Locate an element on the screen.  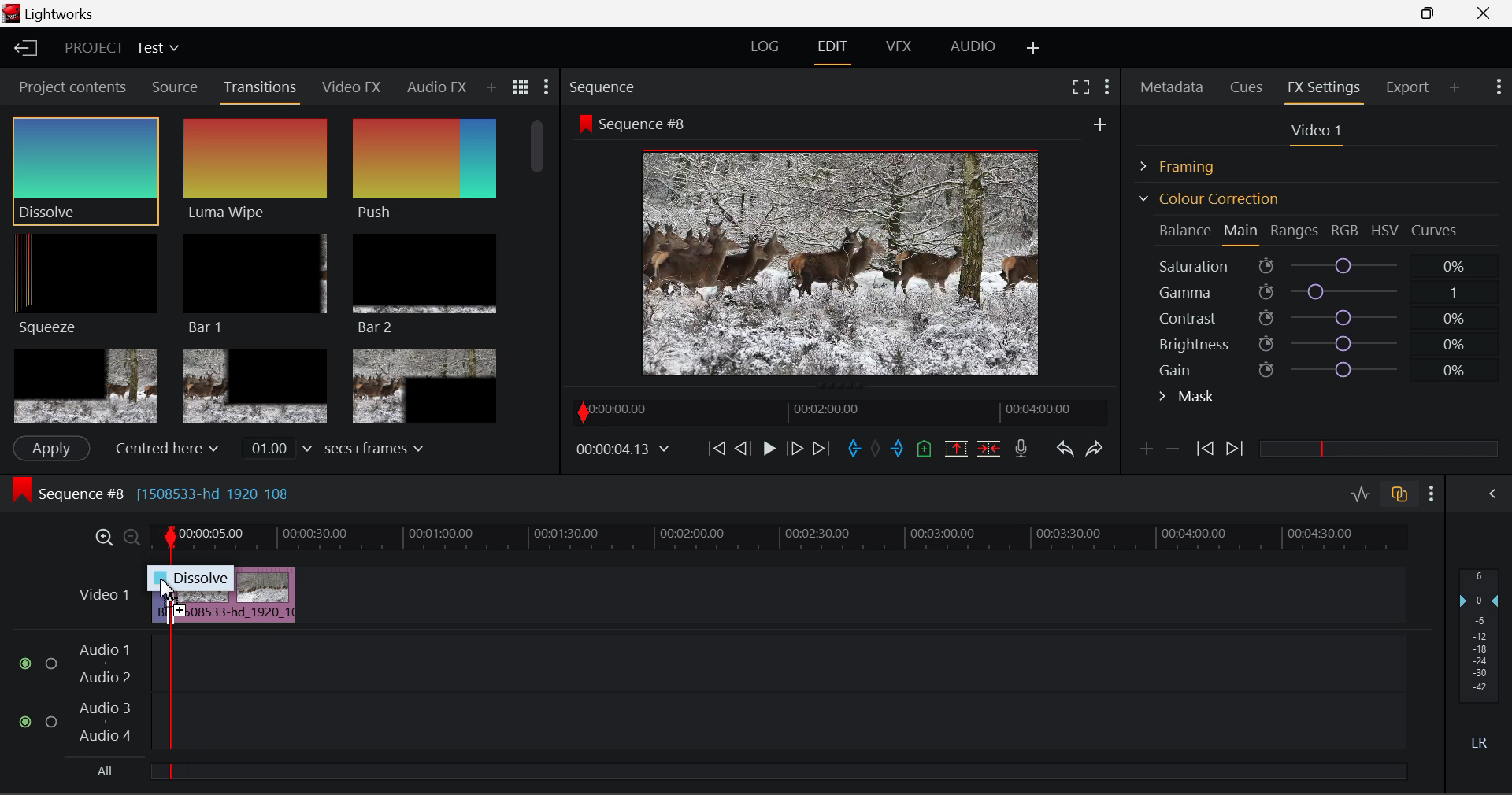
Mask is located at coordinates (1188, 398).